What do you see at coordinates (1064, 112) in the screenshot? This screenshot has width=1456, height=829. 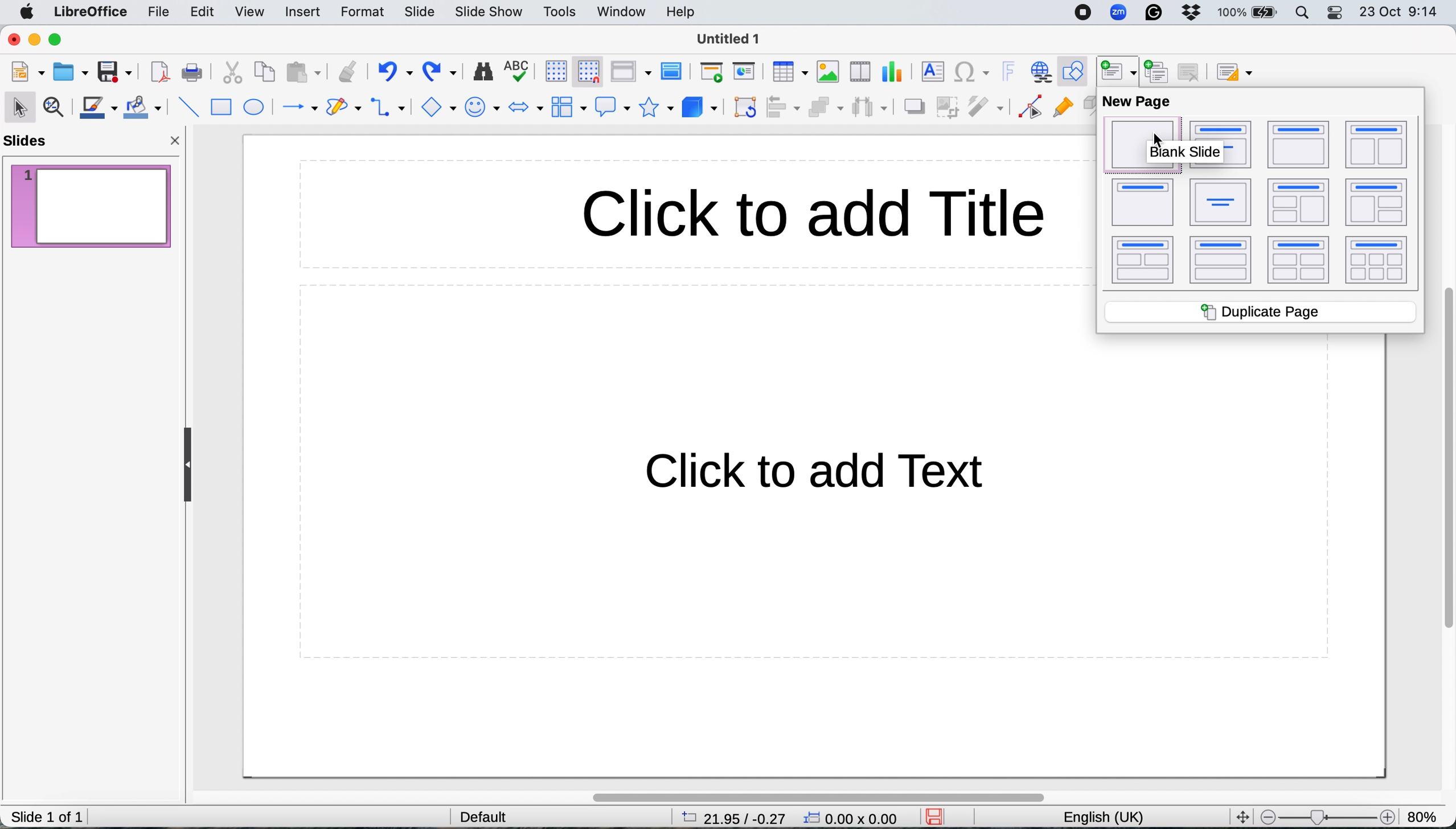 I see `show gluepoint functions` at bounding box center [1064, 112].